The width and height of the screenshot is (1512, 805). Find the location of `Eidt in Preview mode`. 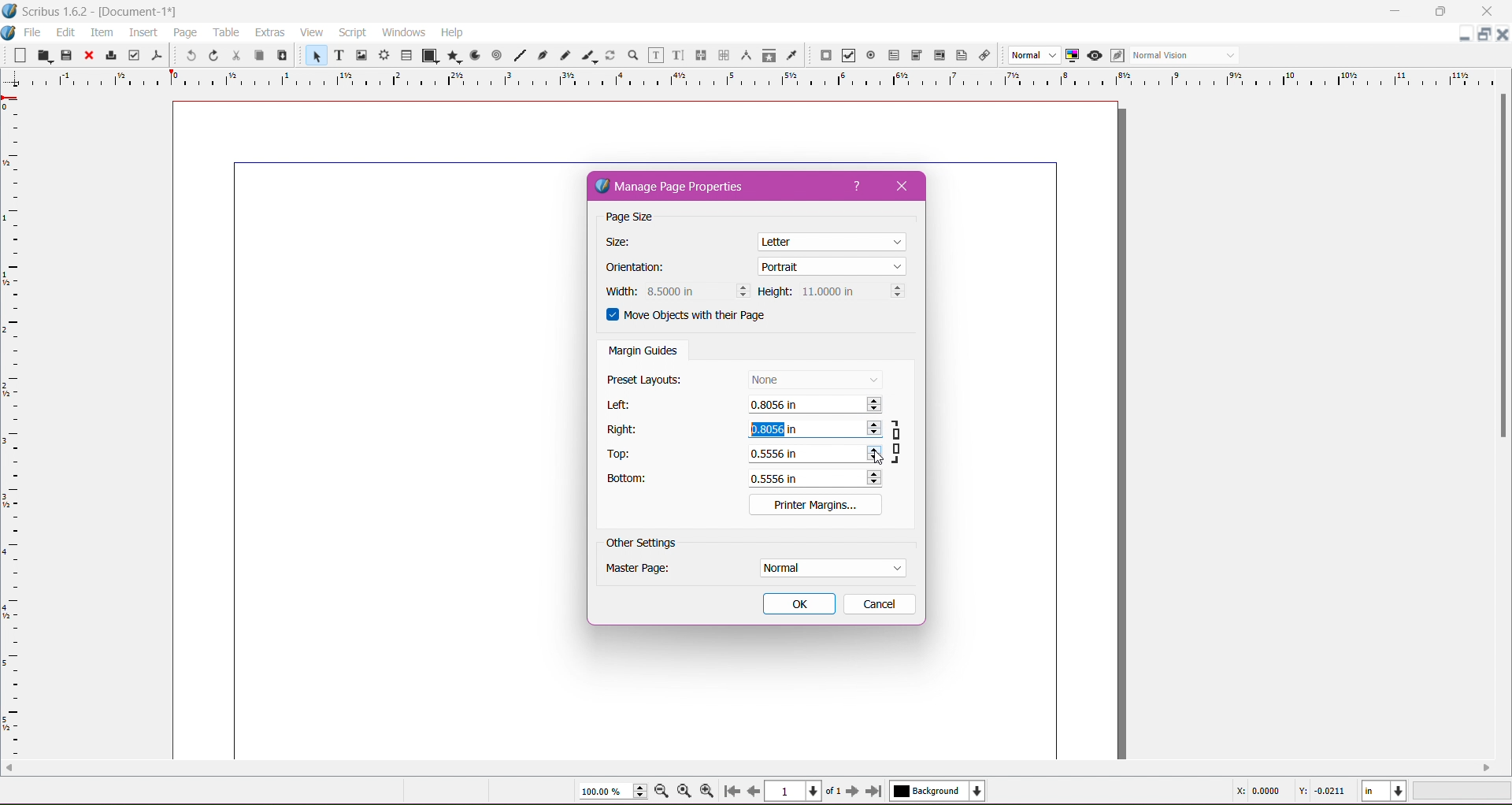

Eidt in Preview mode is located at coordinates (1117, 56).